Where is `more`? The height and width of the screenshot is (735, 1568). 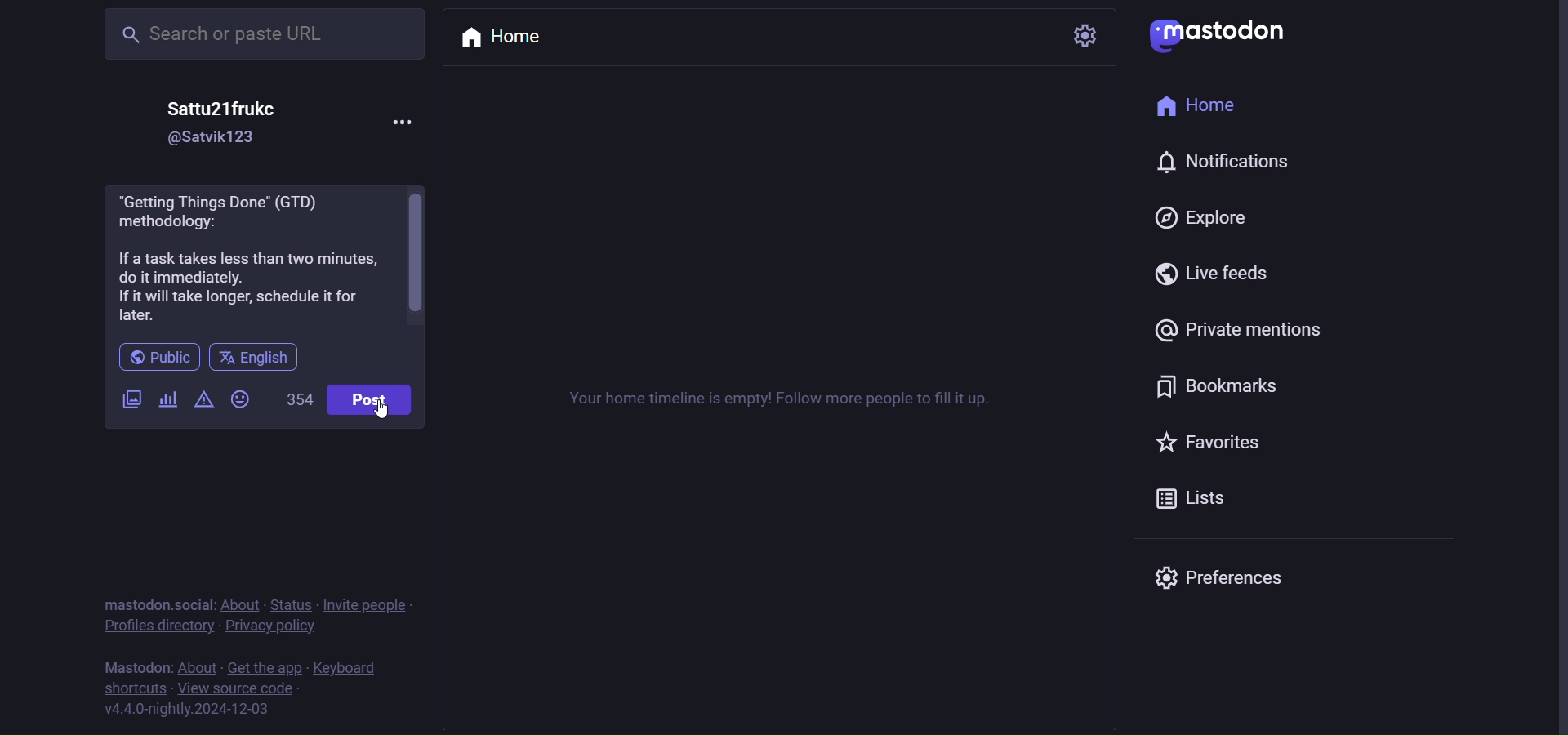 more is located at coordinates (412, 122).